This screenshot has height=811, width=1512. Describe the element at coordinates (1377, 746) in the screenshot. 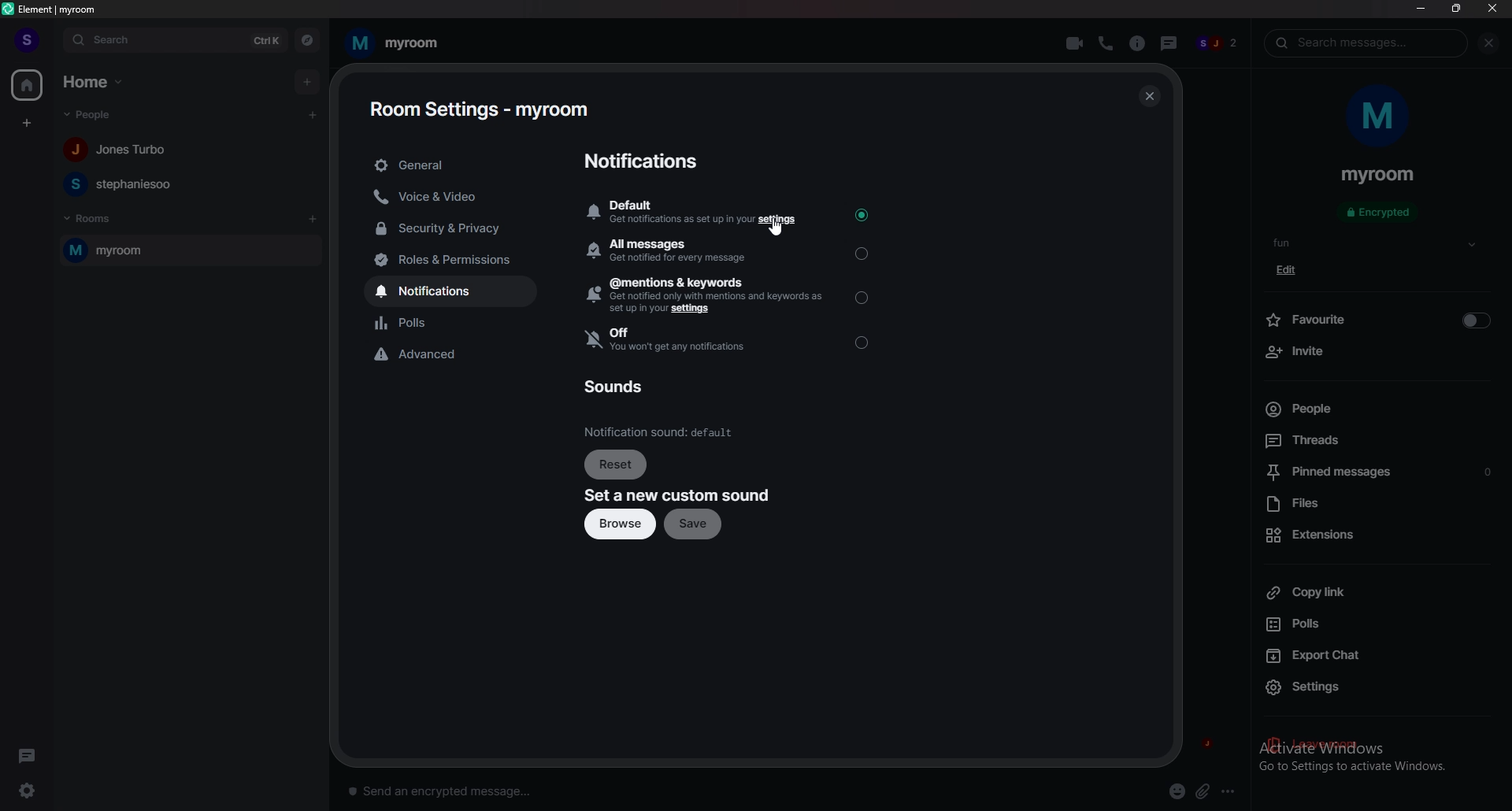

I see `leave room` at that location.